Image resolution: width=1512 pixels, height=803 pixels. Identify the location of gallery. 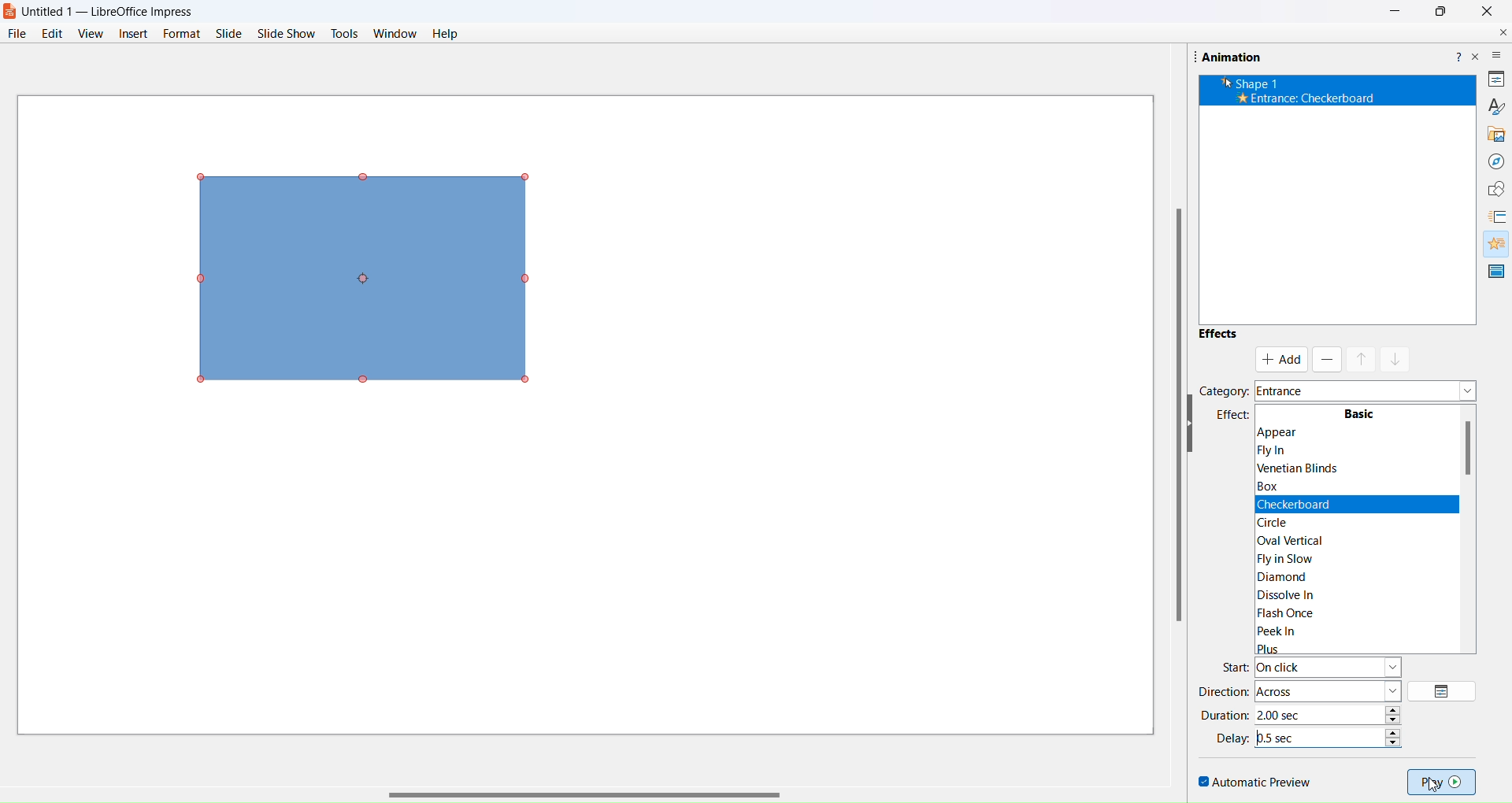
(1493, 134).